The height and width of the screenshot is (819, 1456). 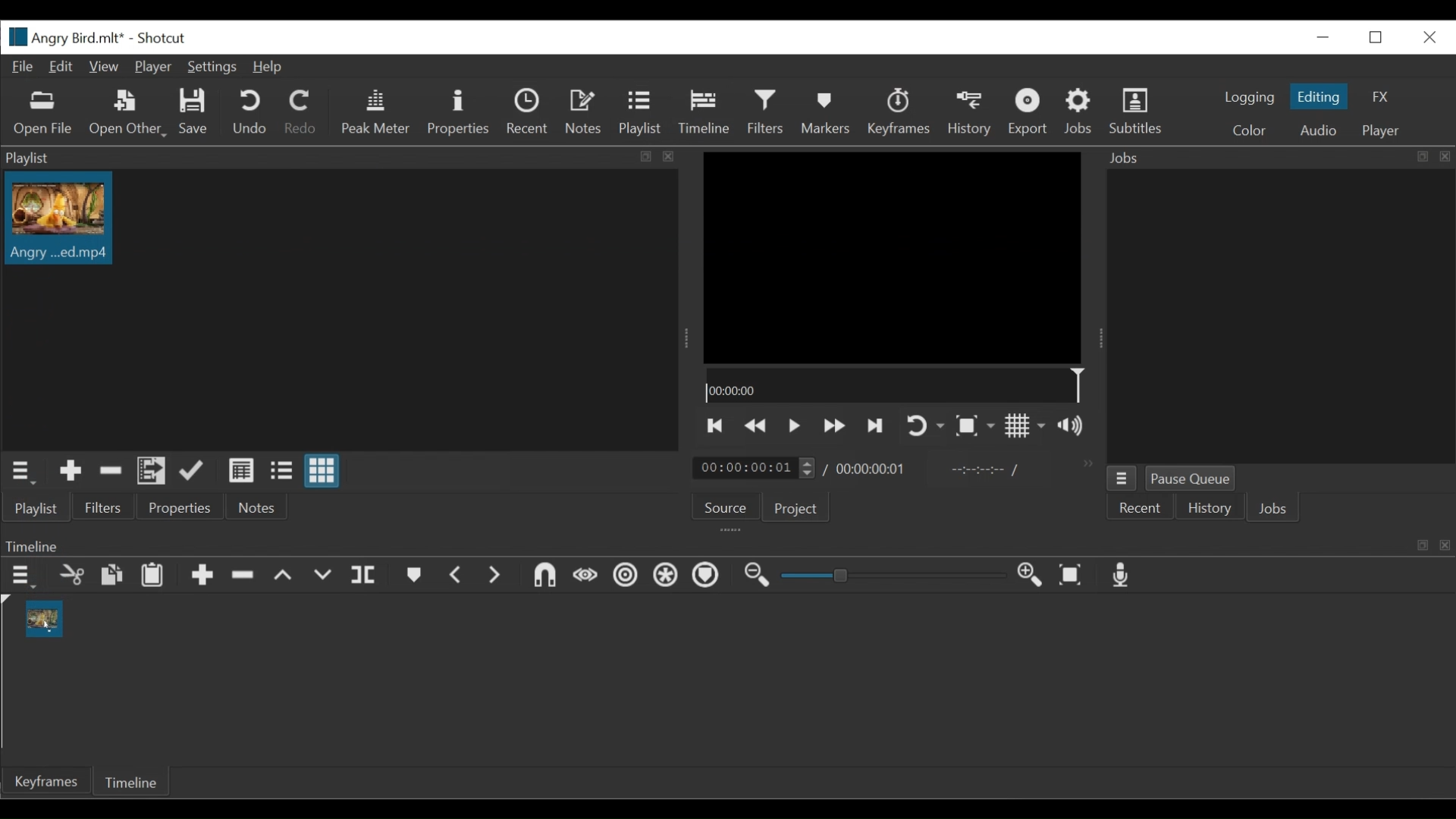 What do you see at coordinates (871, 469) in the screenshot?
I see `Total duration` at bounding box center [871, 469].